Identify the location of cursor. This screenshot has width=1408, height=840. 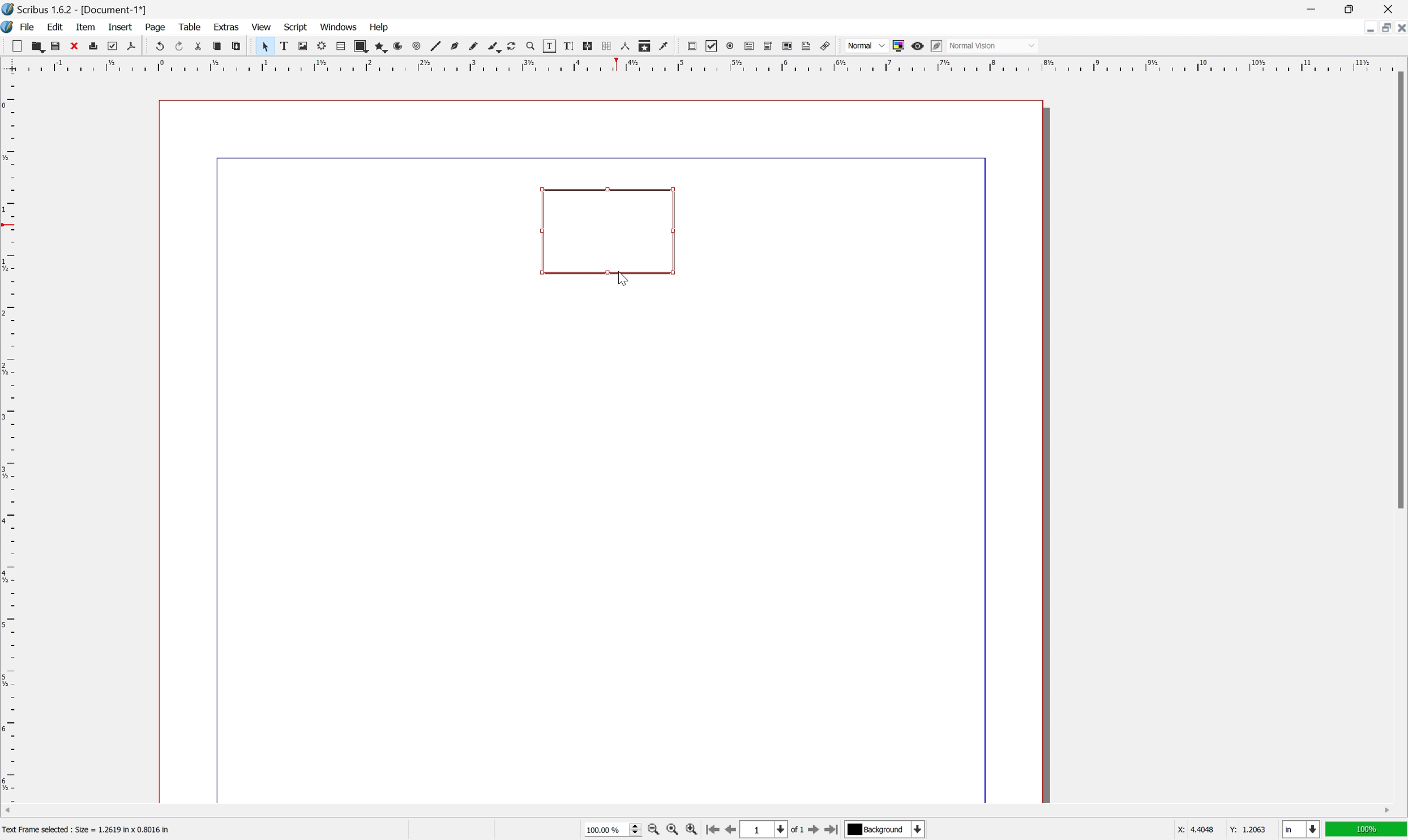
(622, 277).